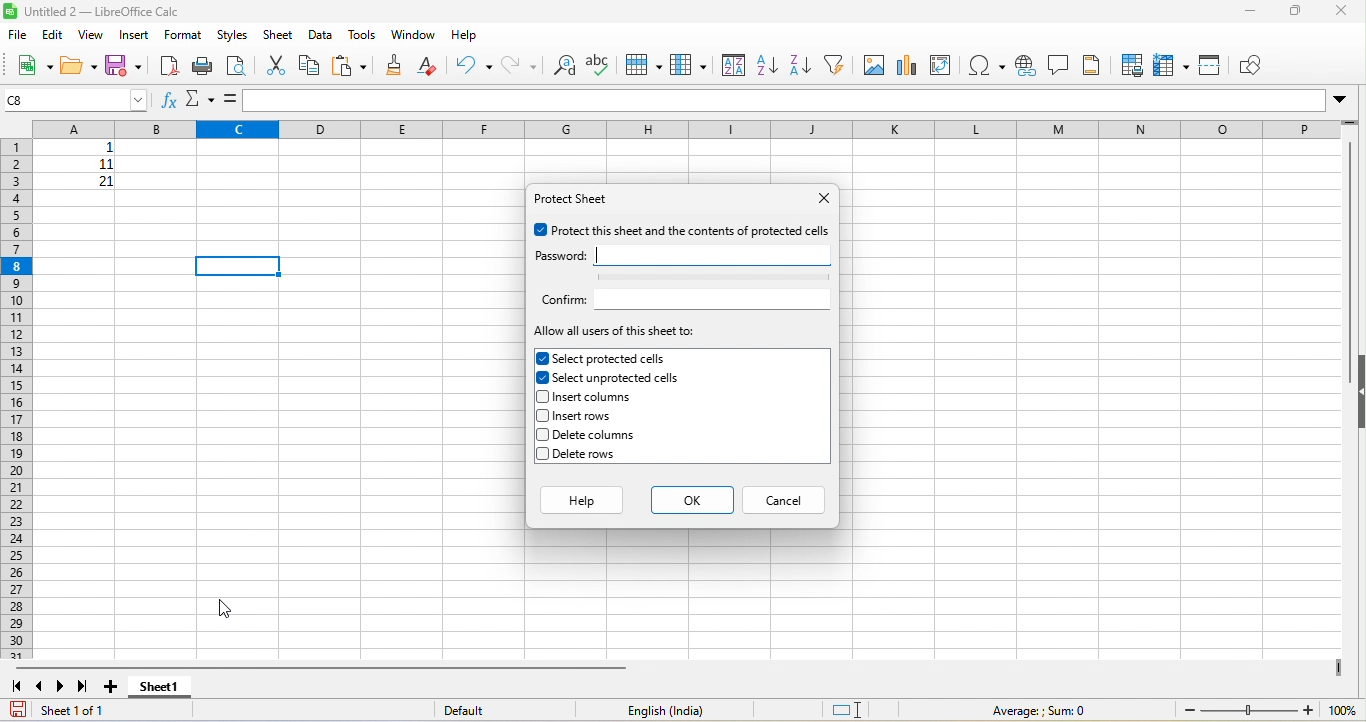  What do you see at coordinates (78, 711) in the screenshot?
I see `sheet 1 of 1` at bounding box center [78, 711].